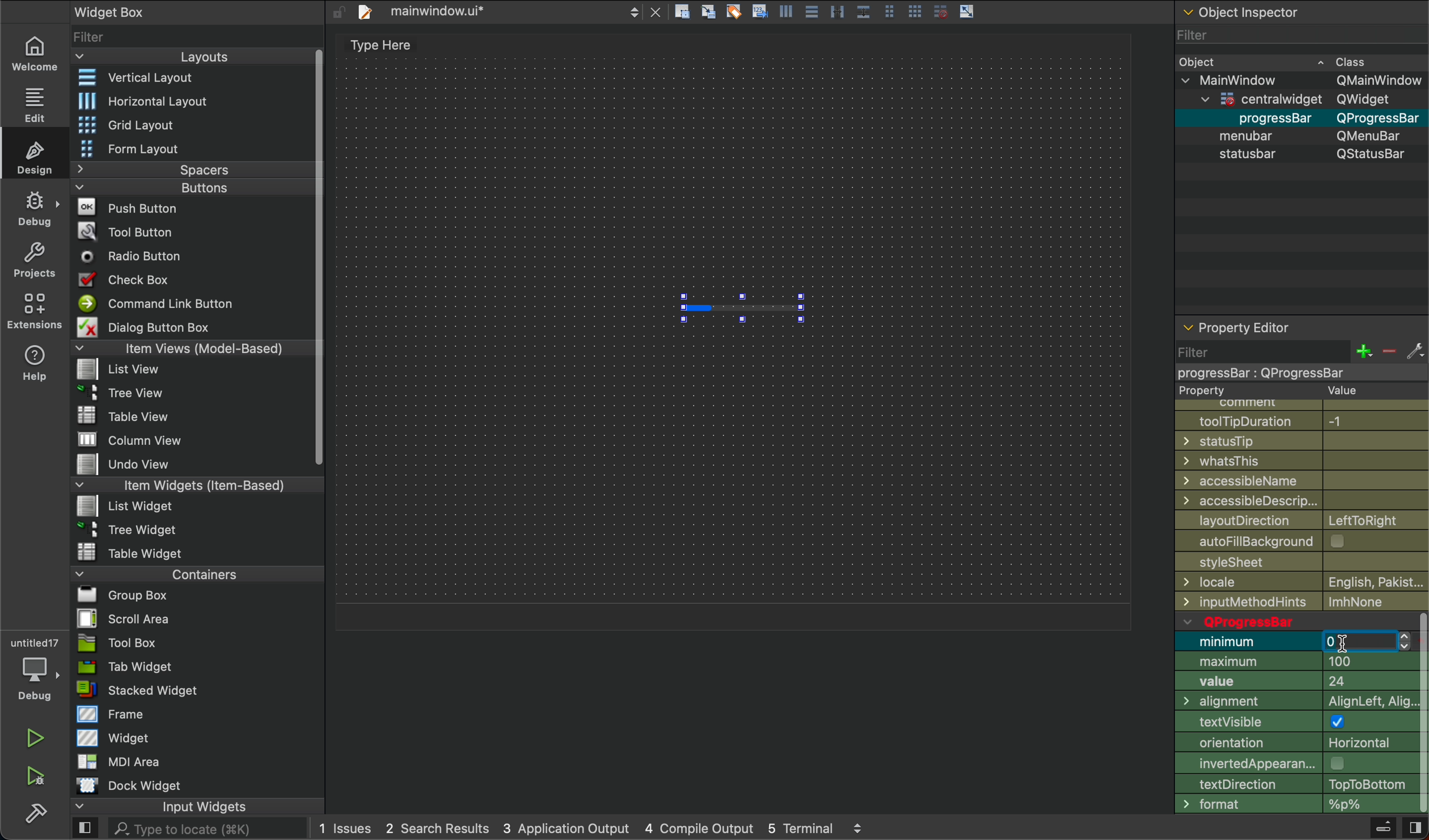  What do you see at coordinates (135, 230) in the screenshot?
I see `Tool Button` at bounding box center [135, 230].